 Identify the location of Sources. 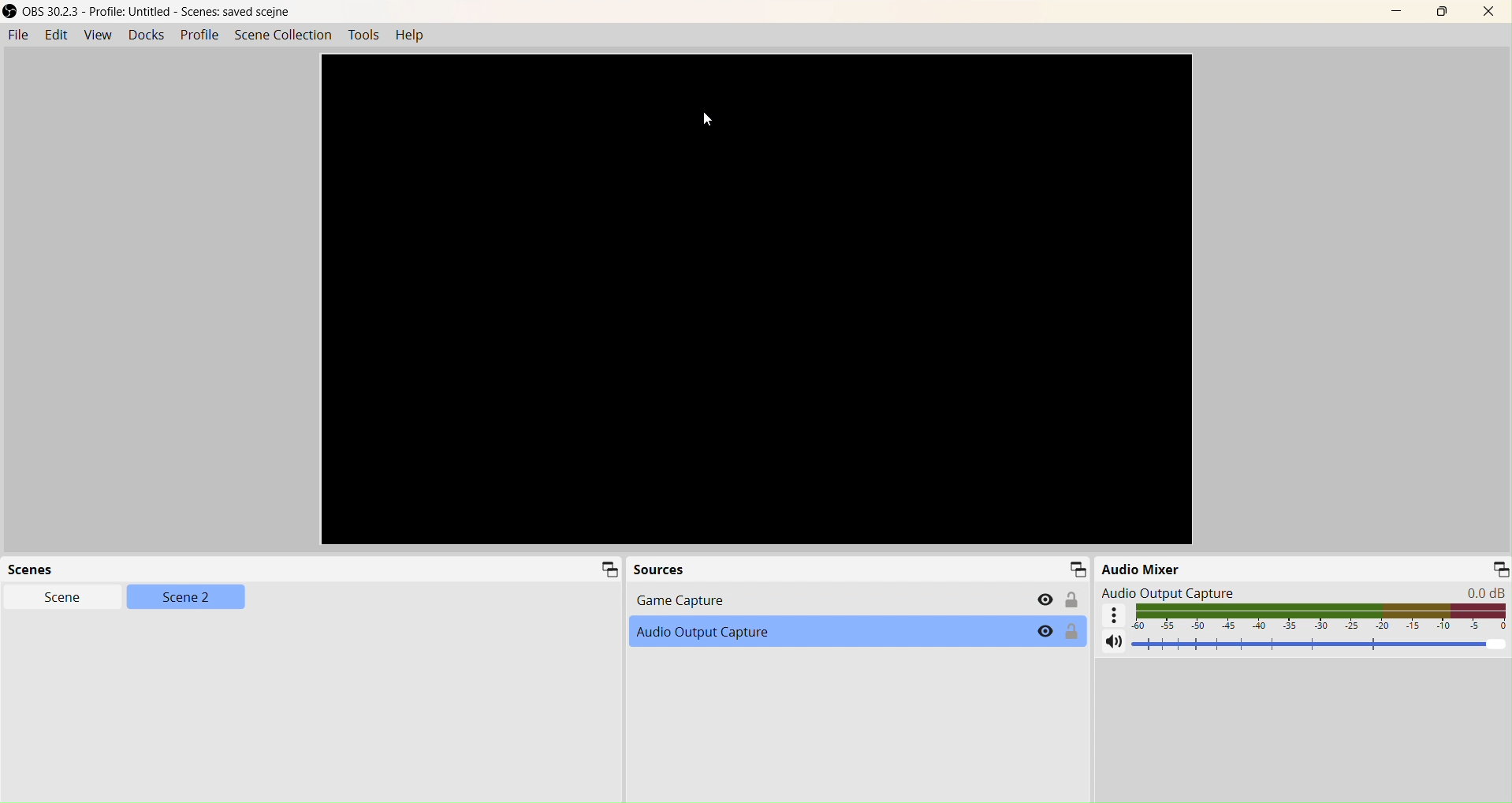
(858, 570).